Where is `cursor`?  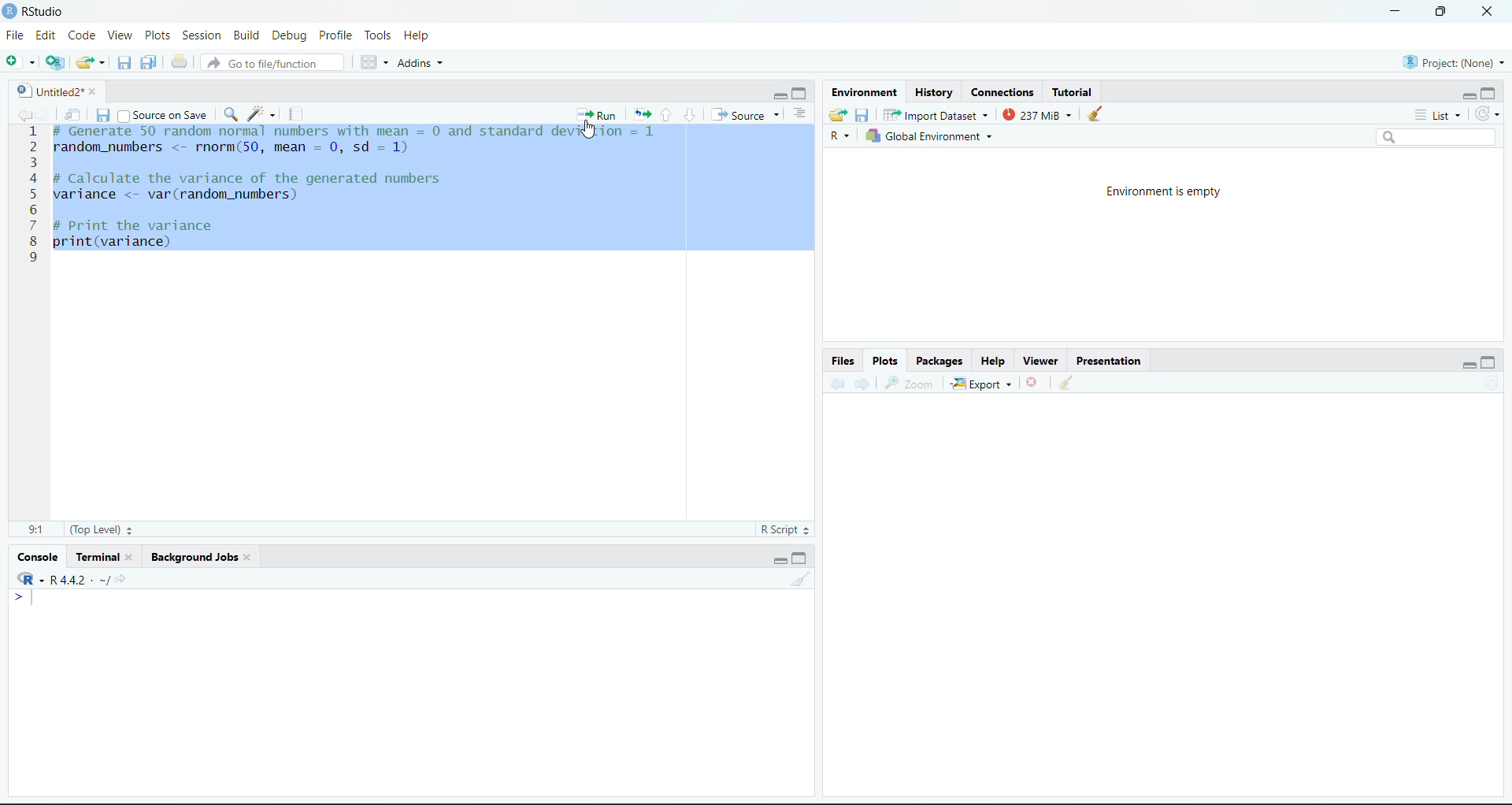 cursor is located at coordinates (589, 131).